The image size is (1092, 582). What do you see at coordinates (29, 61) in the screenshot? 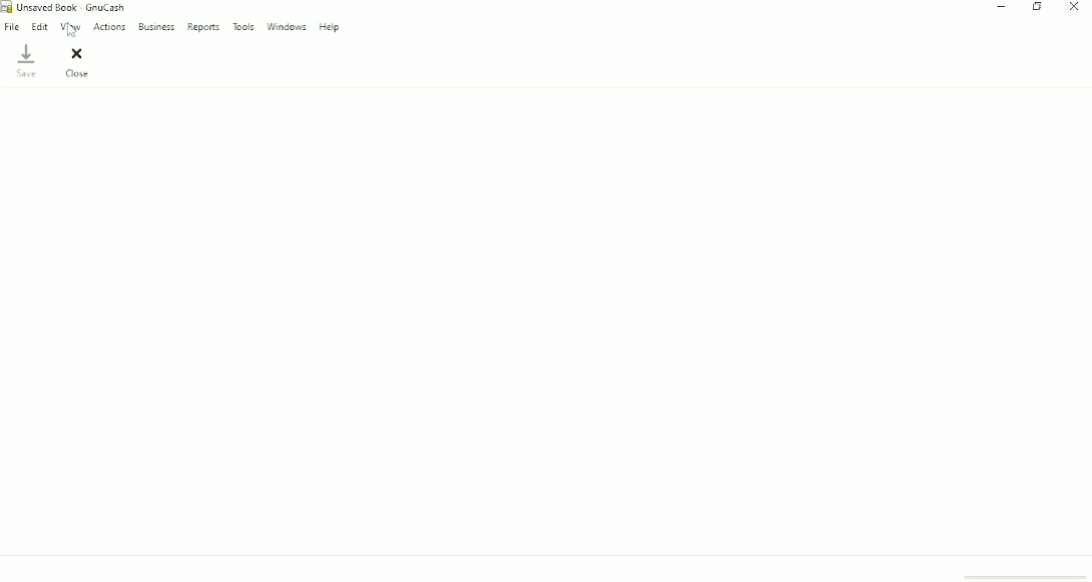
I see `Save` at bounding box center [29, 61].